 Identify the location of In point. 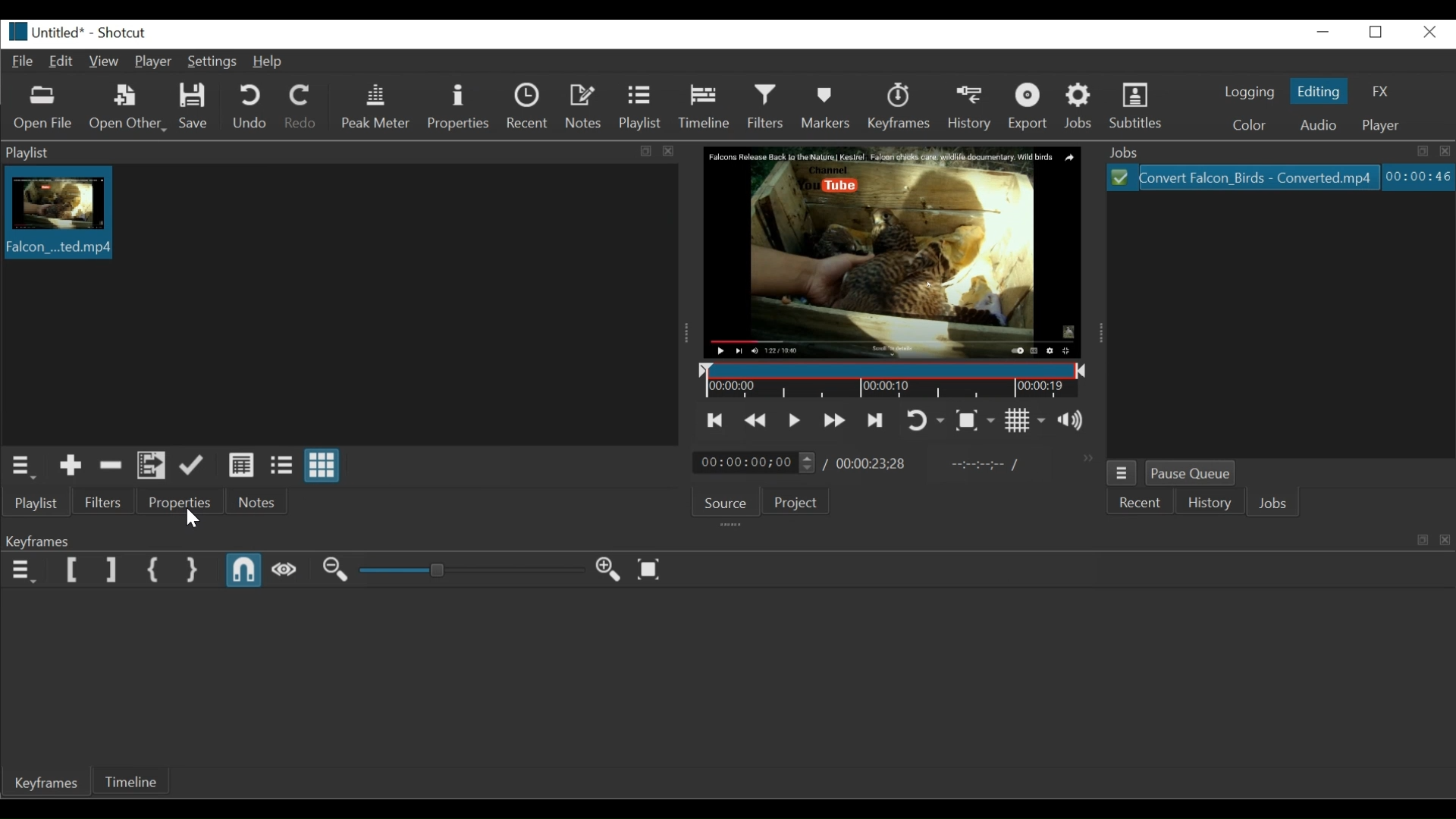
(984, 464).